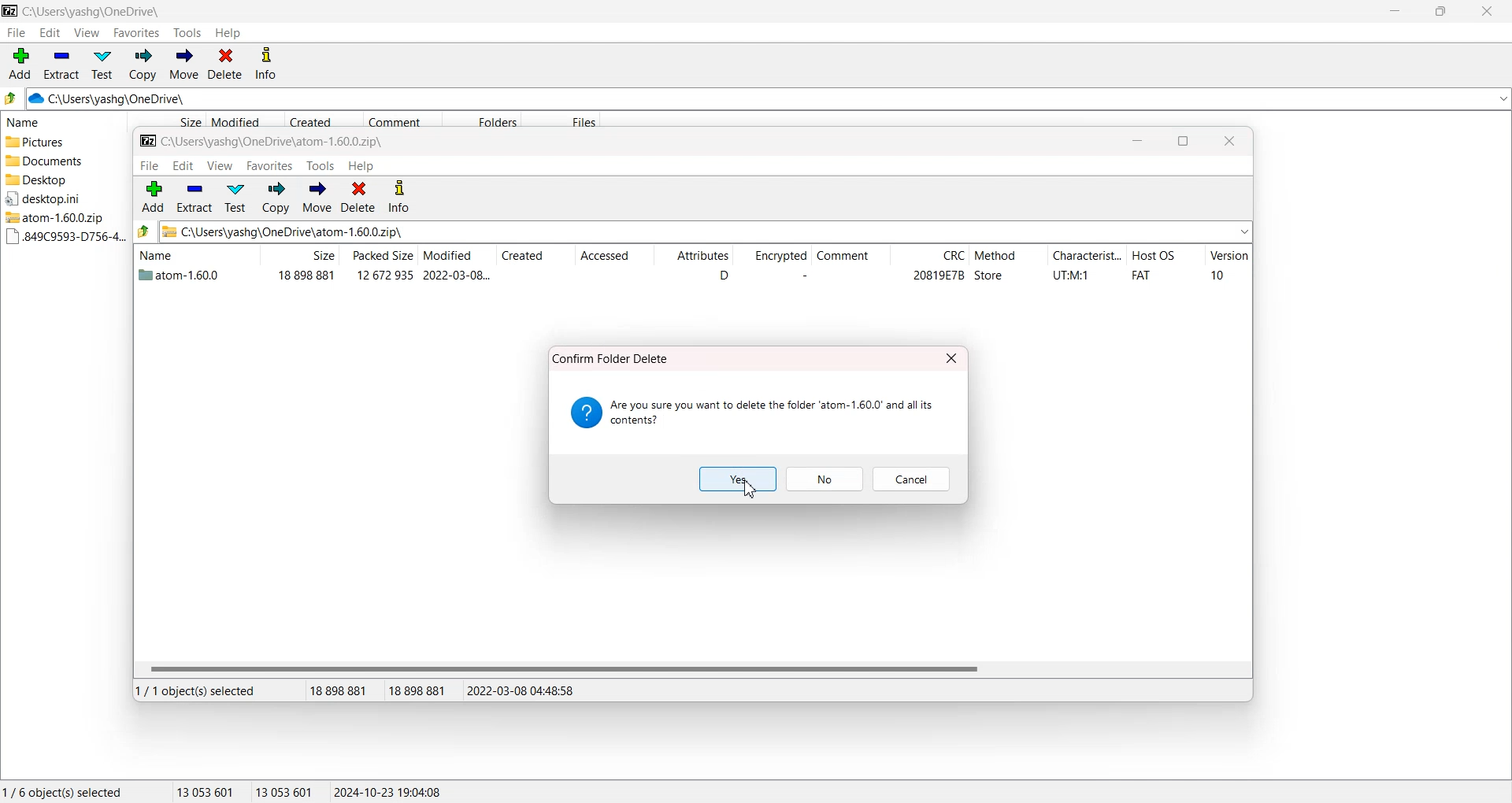 Image resolution: width=1512 pixels, height=803 pixels. I want to click on Horizontal Scroll bar, so click(691, 668).